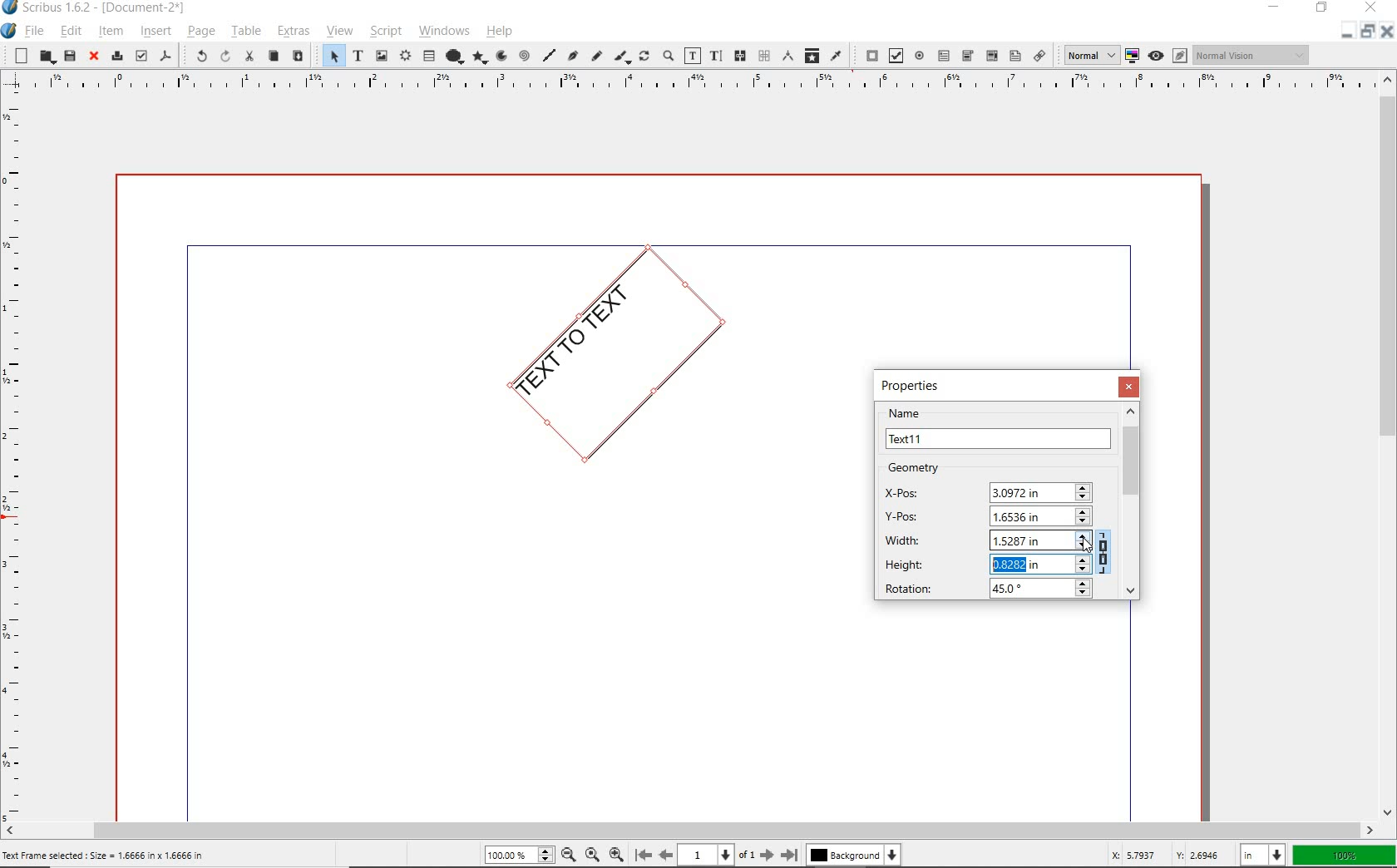  What do you see at coordinates (1388, 36) in the screenshot?
I see `close` at bounding box center [1388, 36].